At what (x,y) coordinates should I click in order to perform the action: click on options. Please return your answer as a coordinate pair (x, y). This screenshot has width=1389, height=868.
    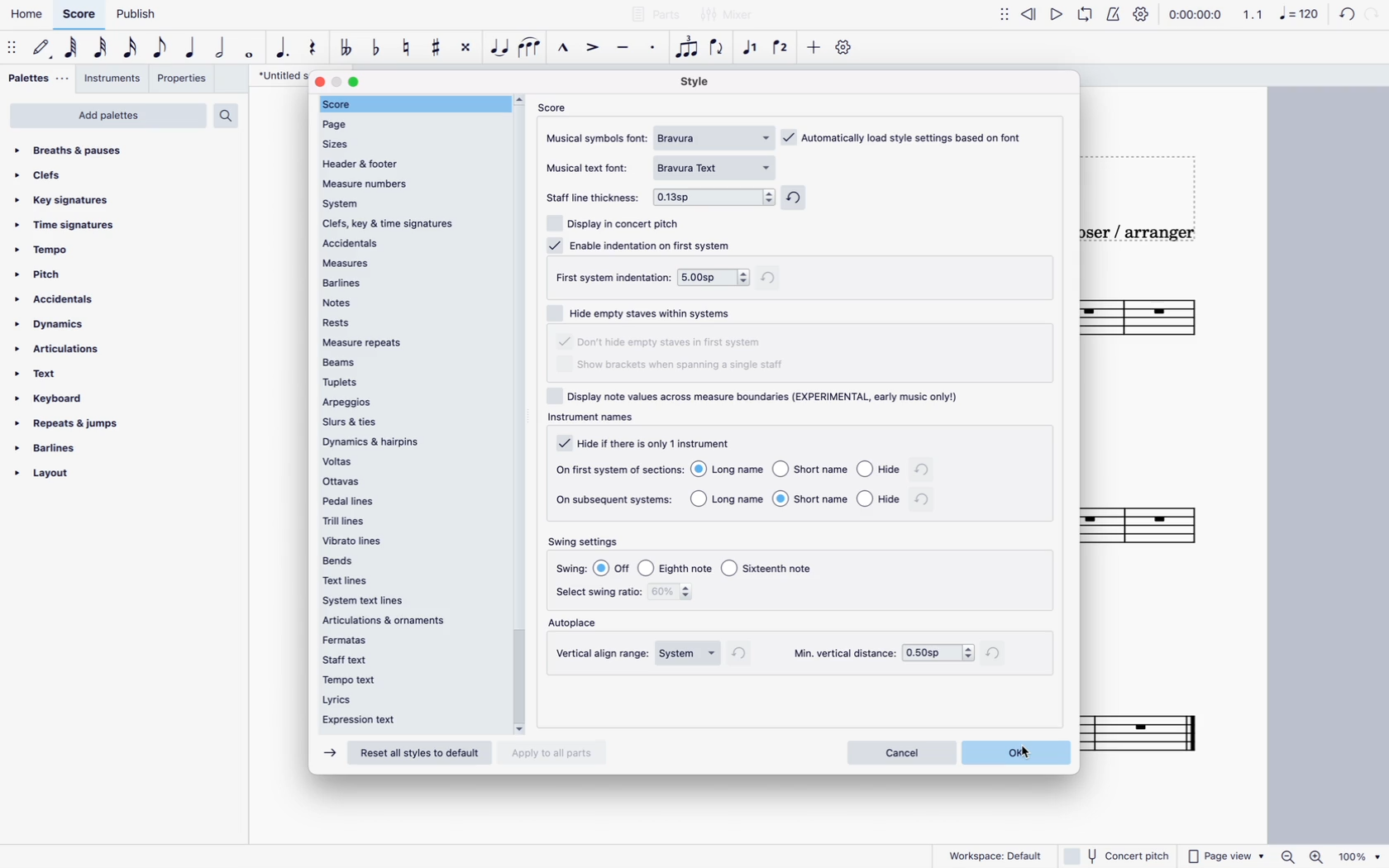
    Looking at the image, I should click on (795, 498).